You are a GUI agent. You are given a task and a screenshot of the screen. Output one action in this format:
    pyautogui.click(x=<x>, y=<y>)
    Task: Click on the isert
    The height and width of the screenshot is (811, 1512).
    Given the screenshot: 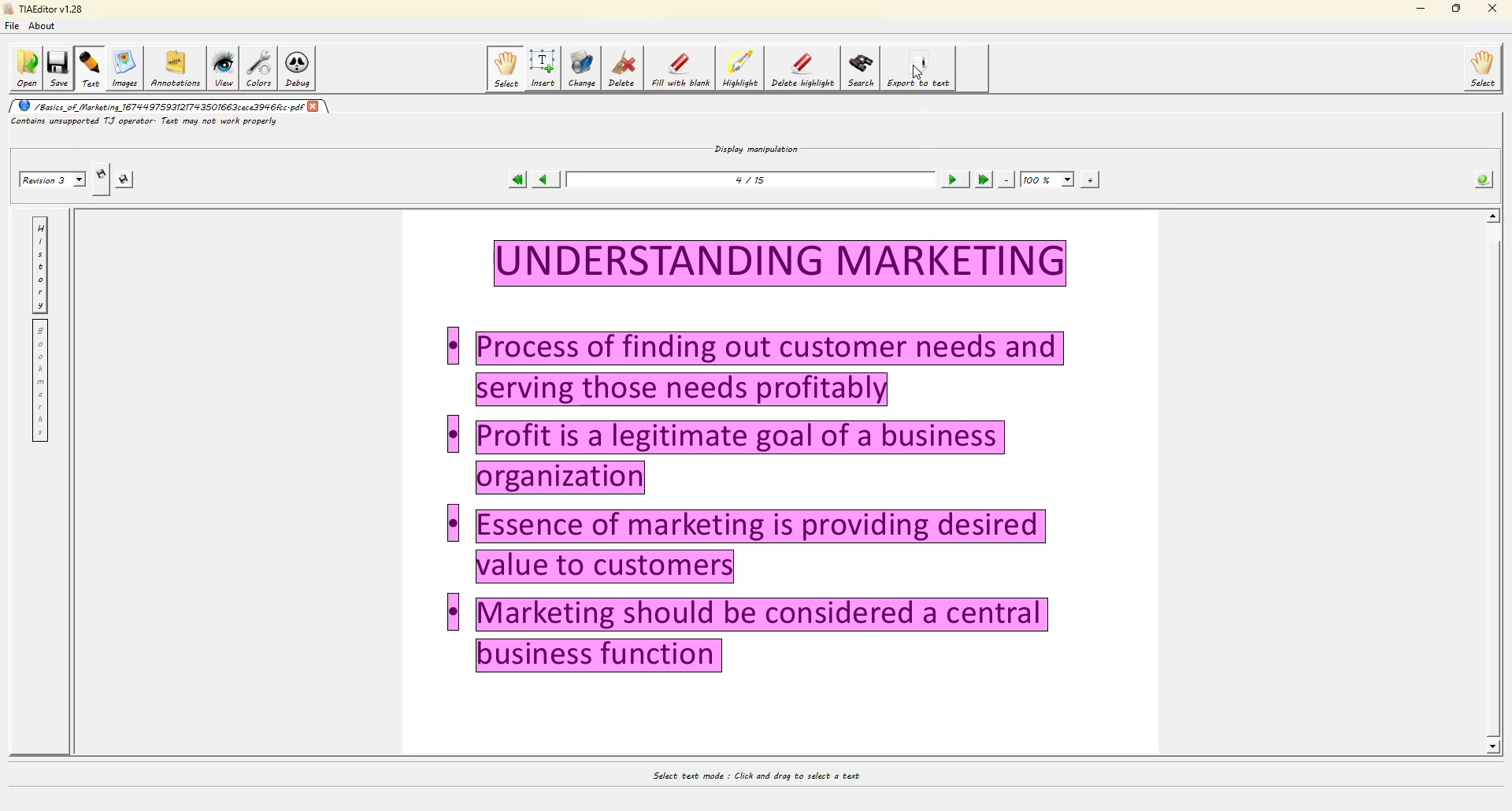 What is the action you would take?
    pyautogui.click(x=543, y=66)
    